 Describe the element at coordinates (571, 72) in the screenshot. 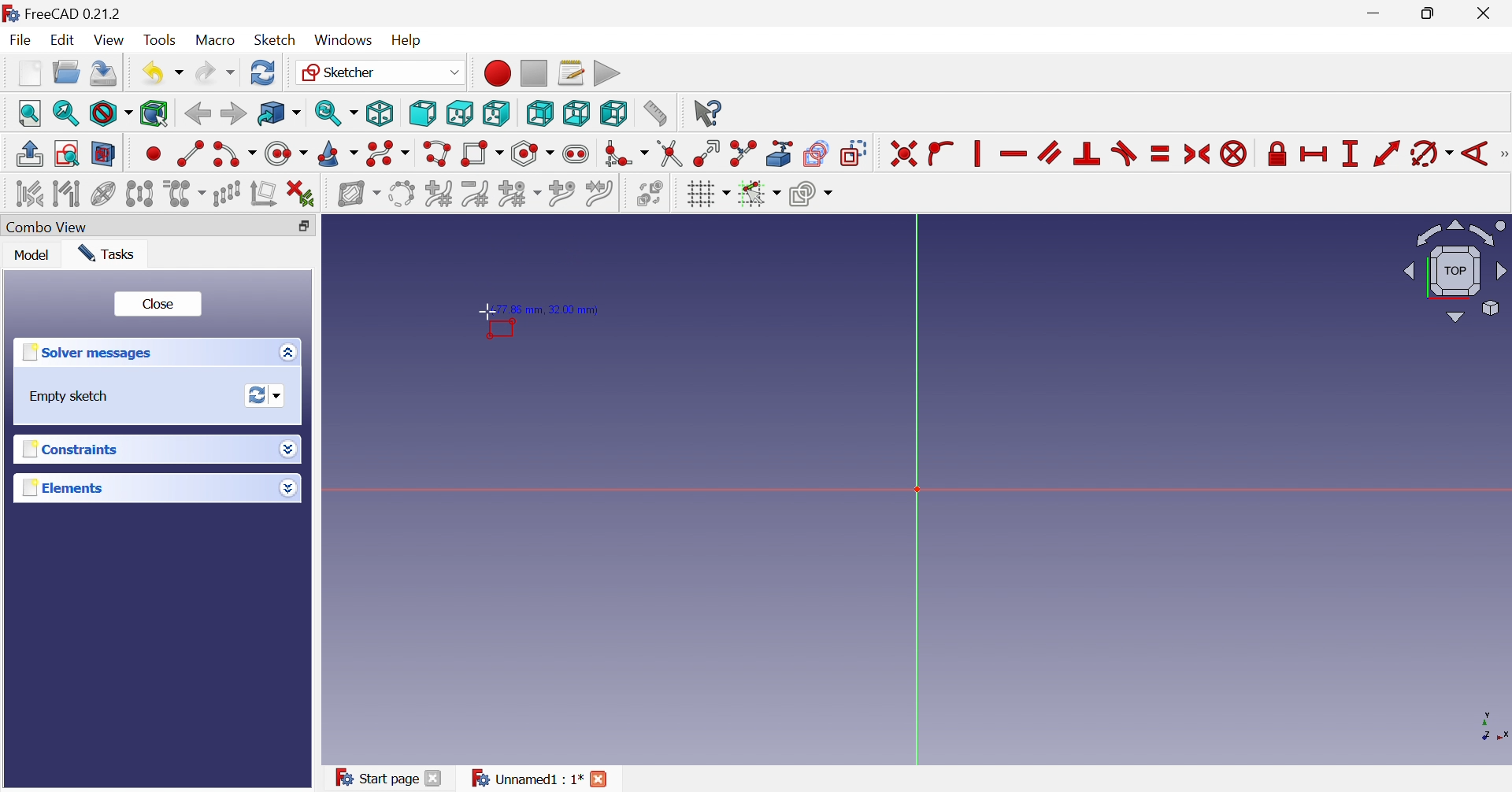

I see `Macros...` at that location.